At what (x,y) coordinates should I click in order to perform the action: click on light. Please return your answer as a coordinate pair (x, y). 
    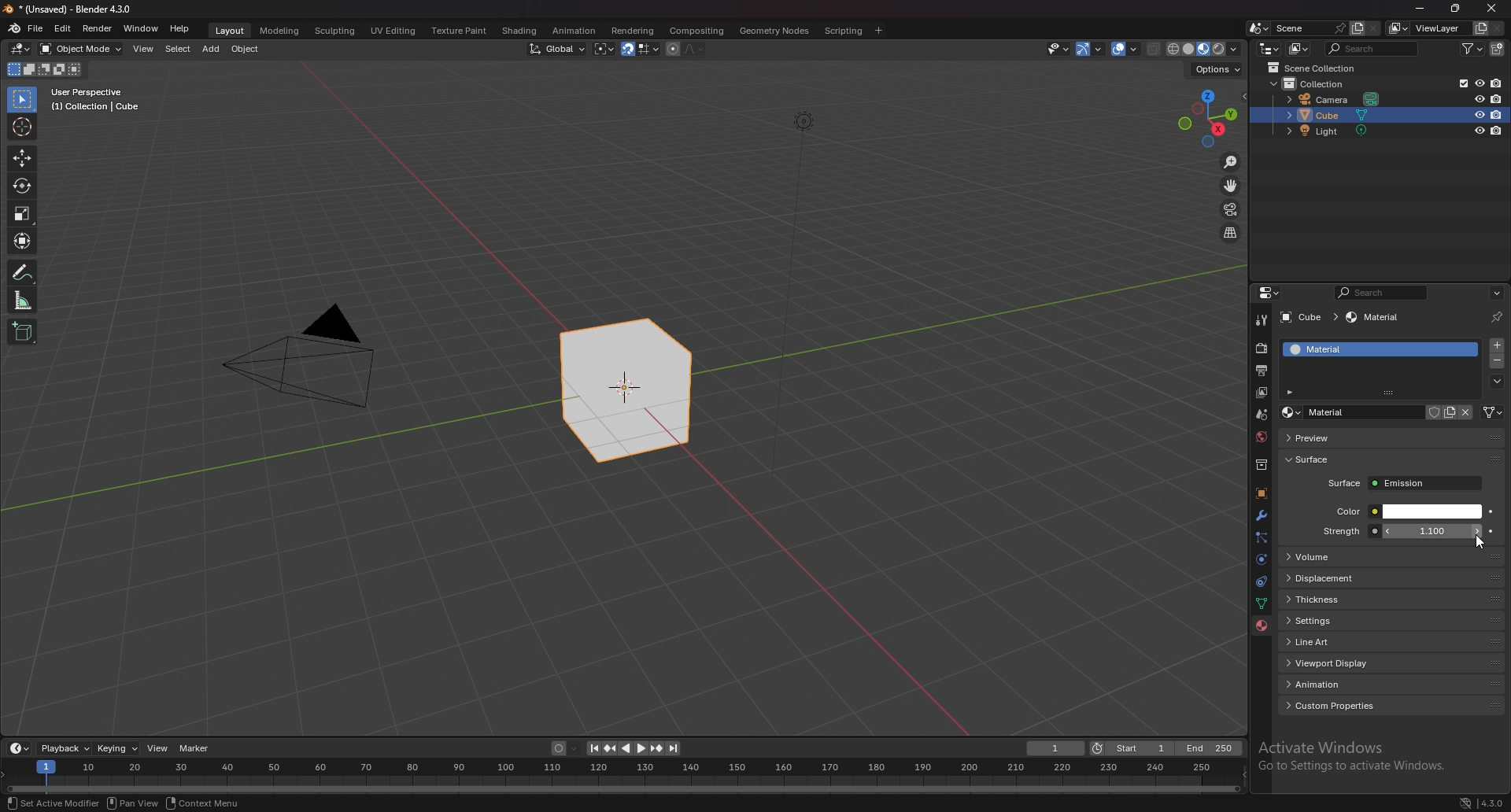
    Looking at the image, I should click on (1333, 131).